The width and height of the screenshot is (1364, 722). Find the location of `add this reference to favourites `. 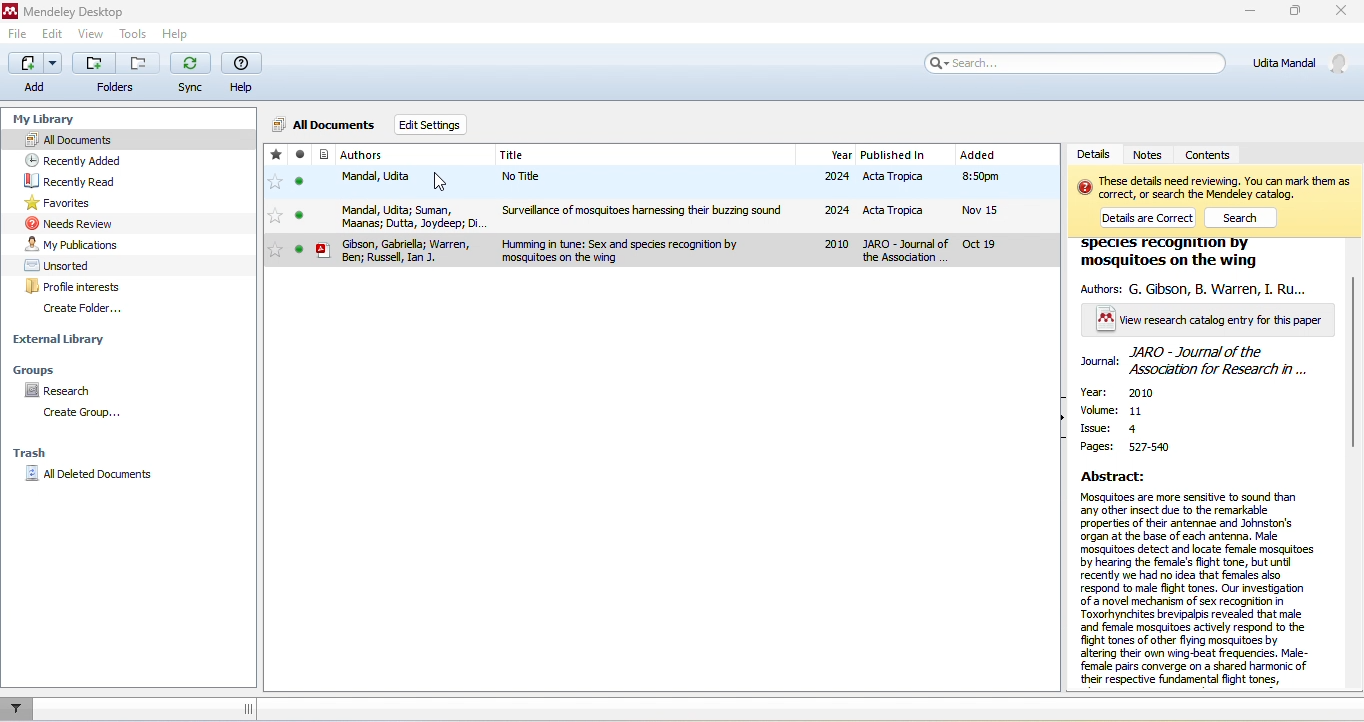

add this reference to favourites  is located at coordinates (276, 156).